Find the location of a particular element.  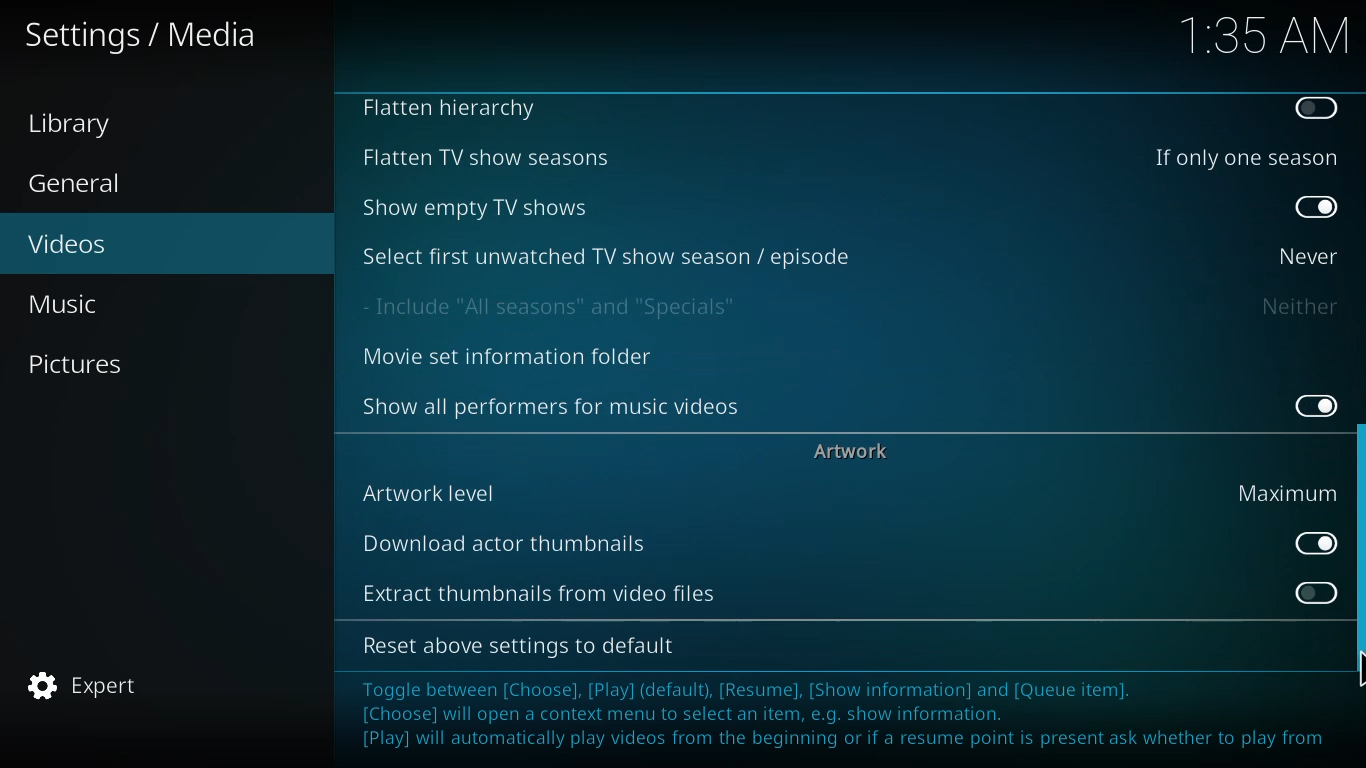

extract thumbnails from video files is located at coordinates (538, 591).